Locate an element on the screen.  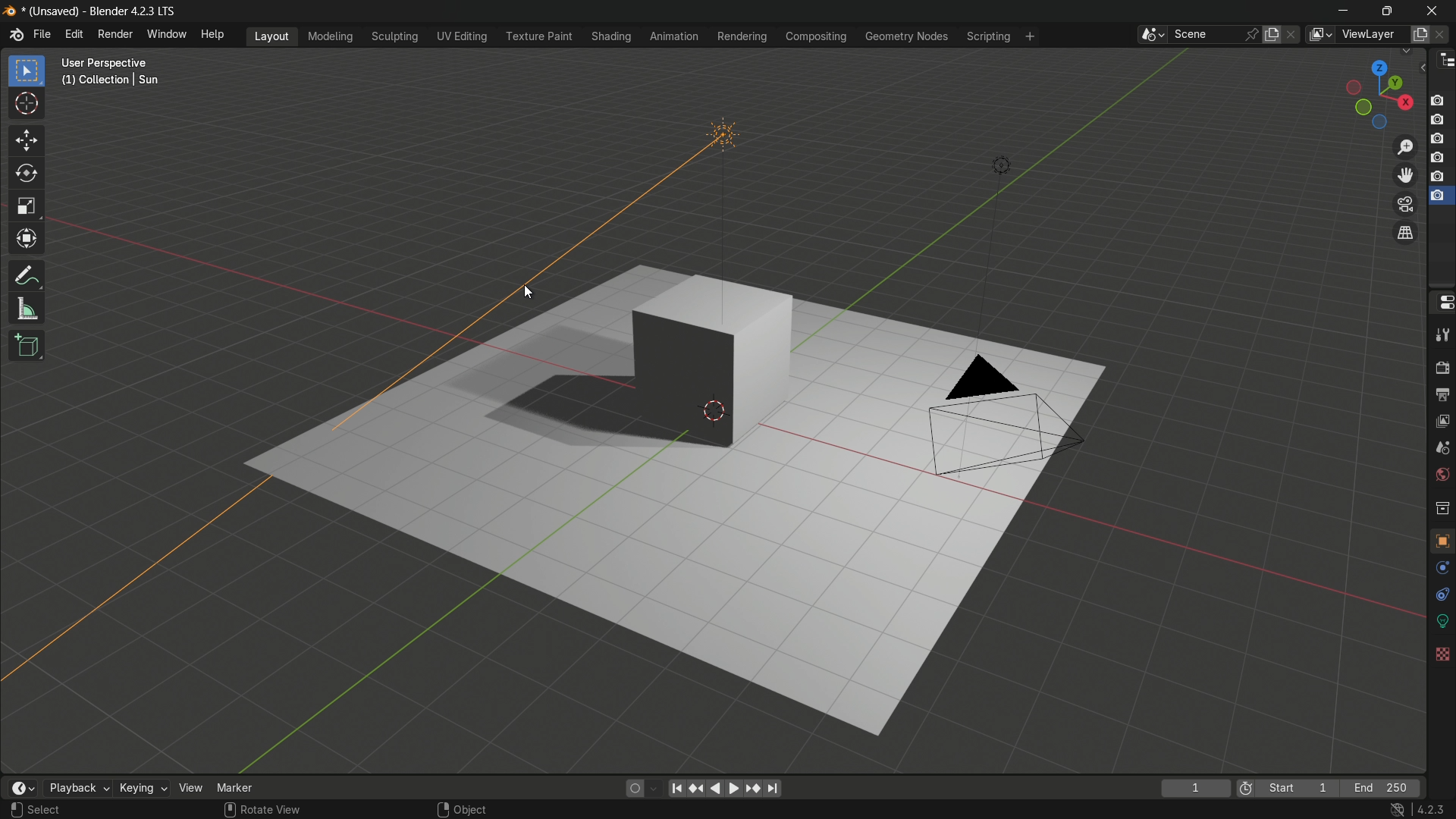
world is located at coordinates (1443, 475).